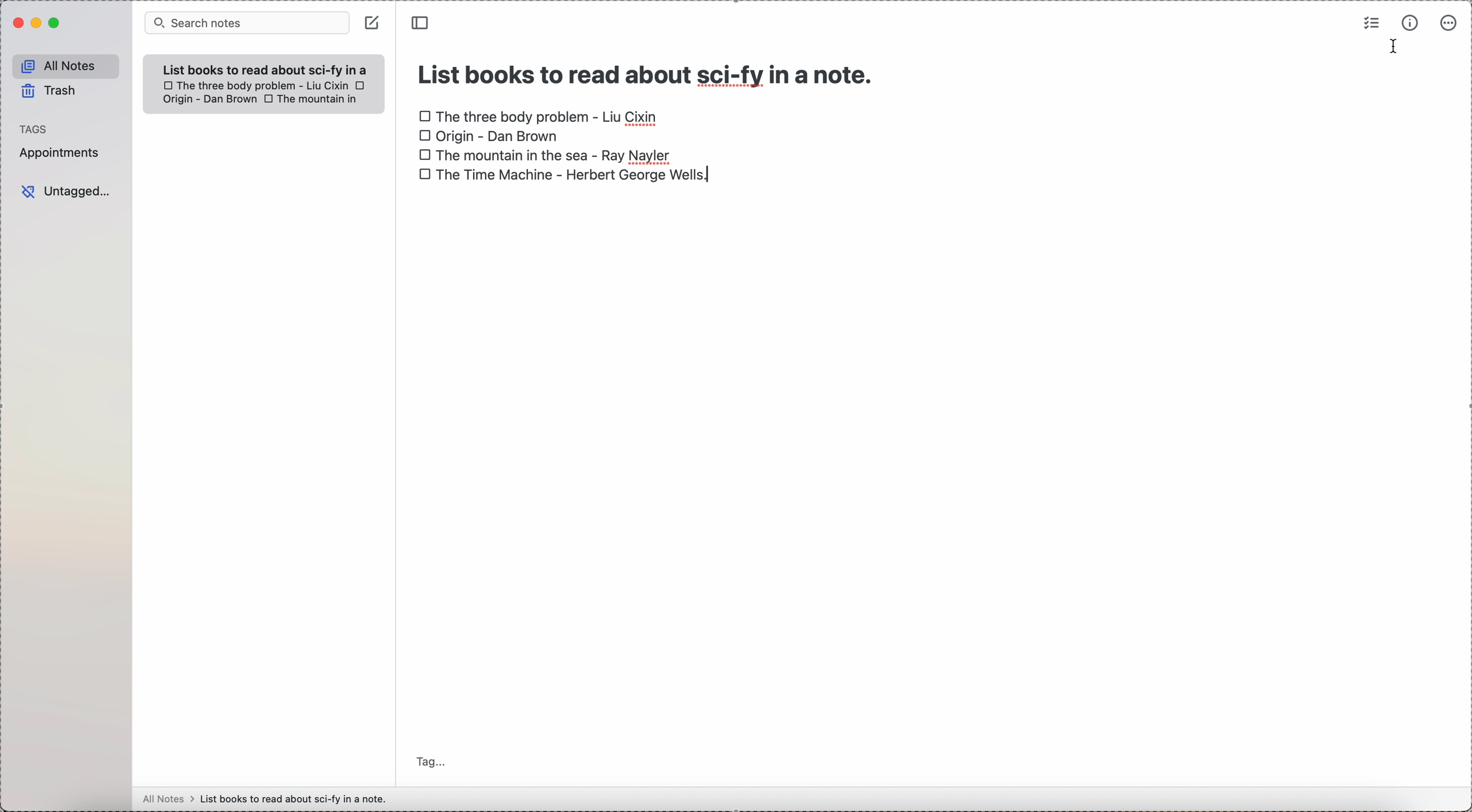 This screenshot has width=1472, height=812. Describe the element at coordinates (50, 91) in the screenshot. I see `trash` at that location.